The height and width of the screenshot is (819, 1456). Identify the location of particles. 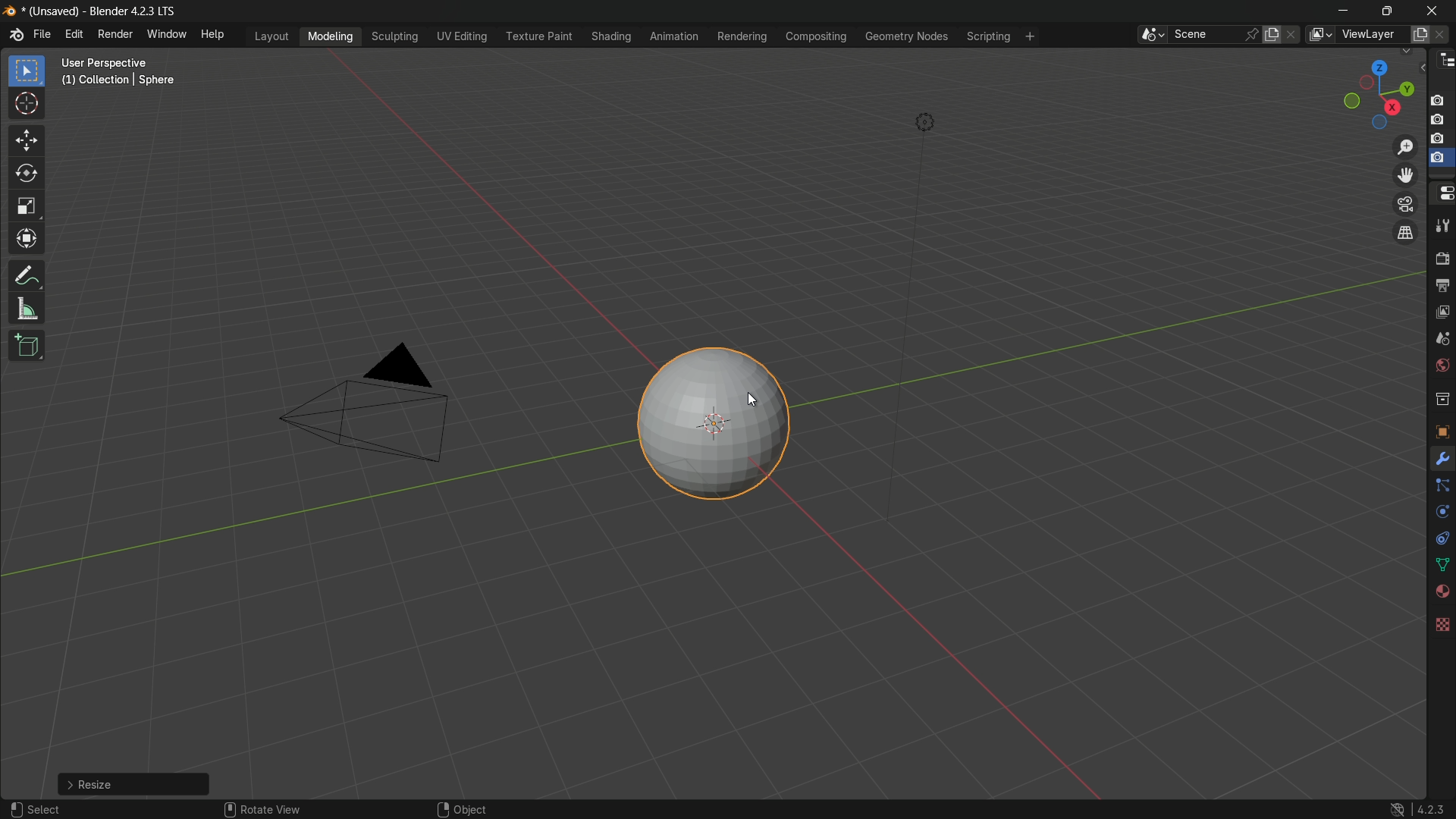
(1442, 489).